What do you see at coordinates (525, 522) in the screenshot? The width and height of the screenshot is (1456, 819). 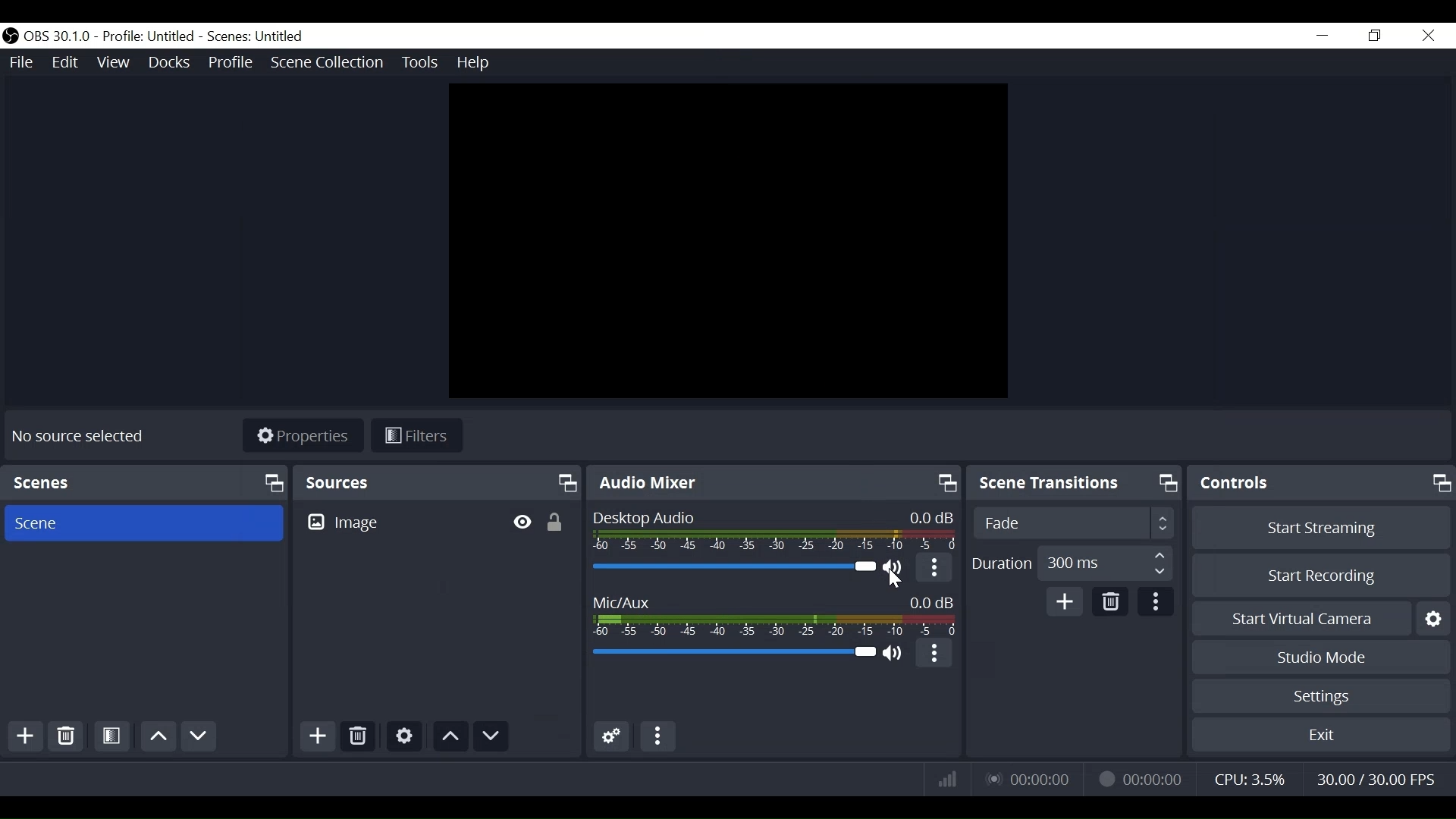 I see `Hide/Display` at bounding box center [525, 522].